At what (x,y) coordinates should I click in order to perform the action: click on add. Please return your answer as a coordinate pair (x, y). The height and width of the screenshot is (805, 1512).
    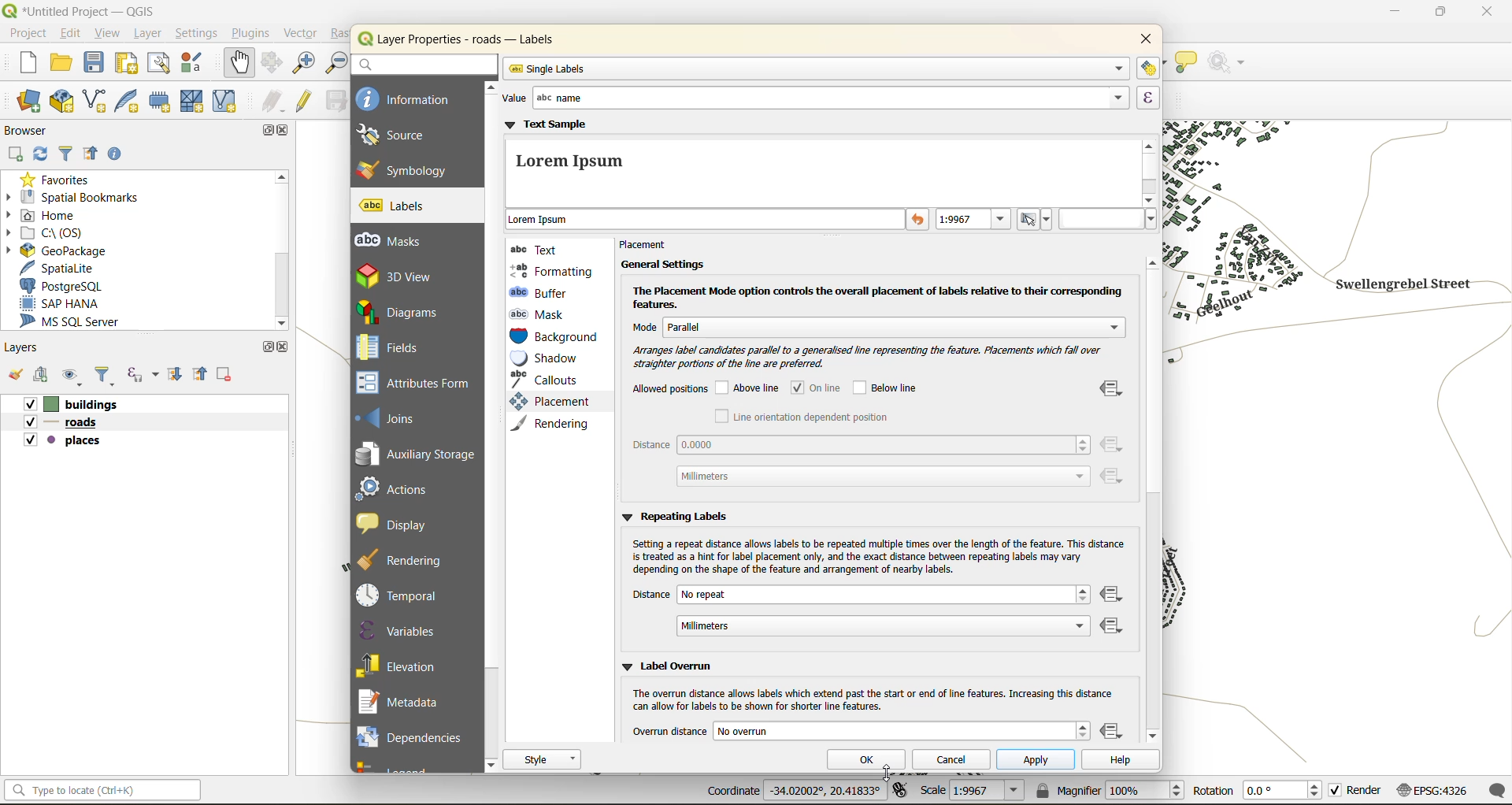
    Looking at the image, I should click on (17, 154).